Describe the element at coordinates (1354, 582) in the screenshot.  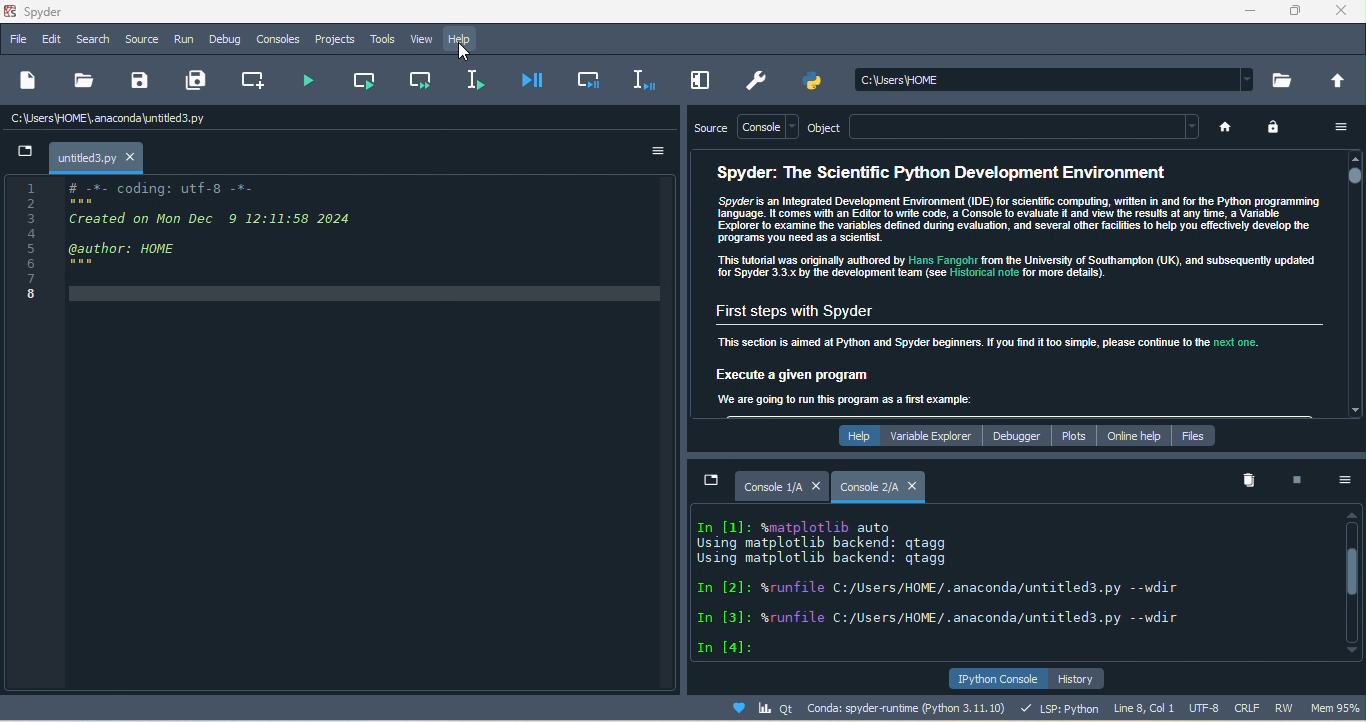
I see `vertical scroll bar` at that location.